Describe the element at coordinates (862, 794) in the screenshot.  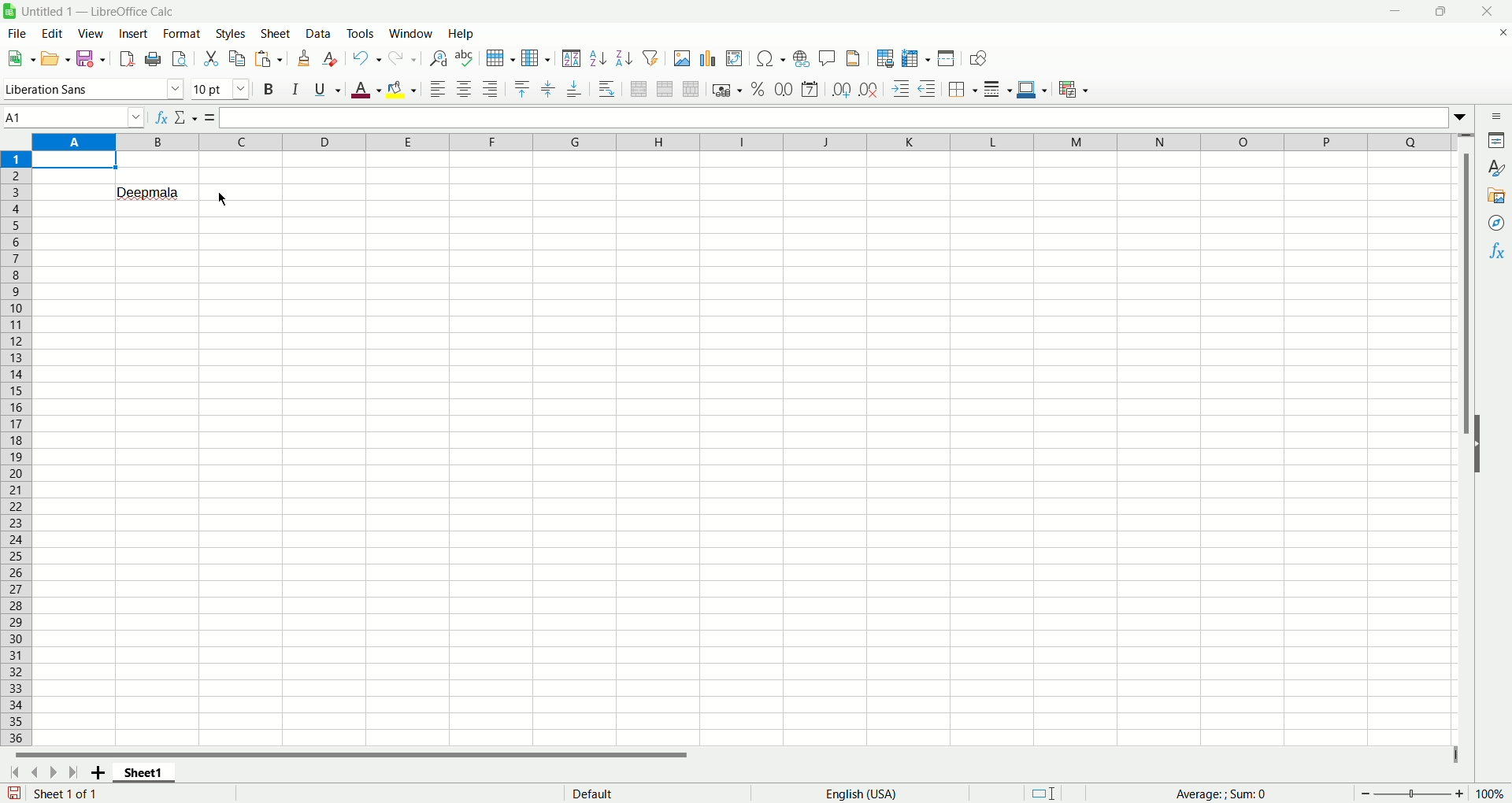
I see `Text language` at that location.